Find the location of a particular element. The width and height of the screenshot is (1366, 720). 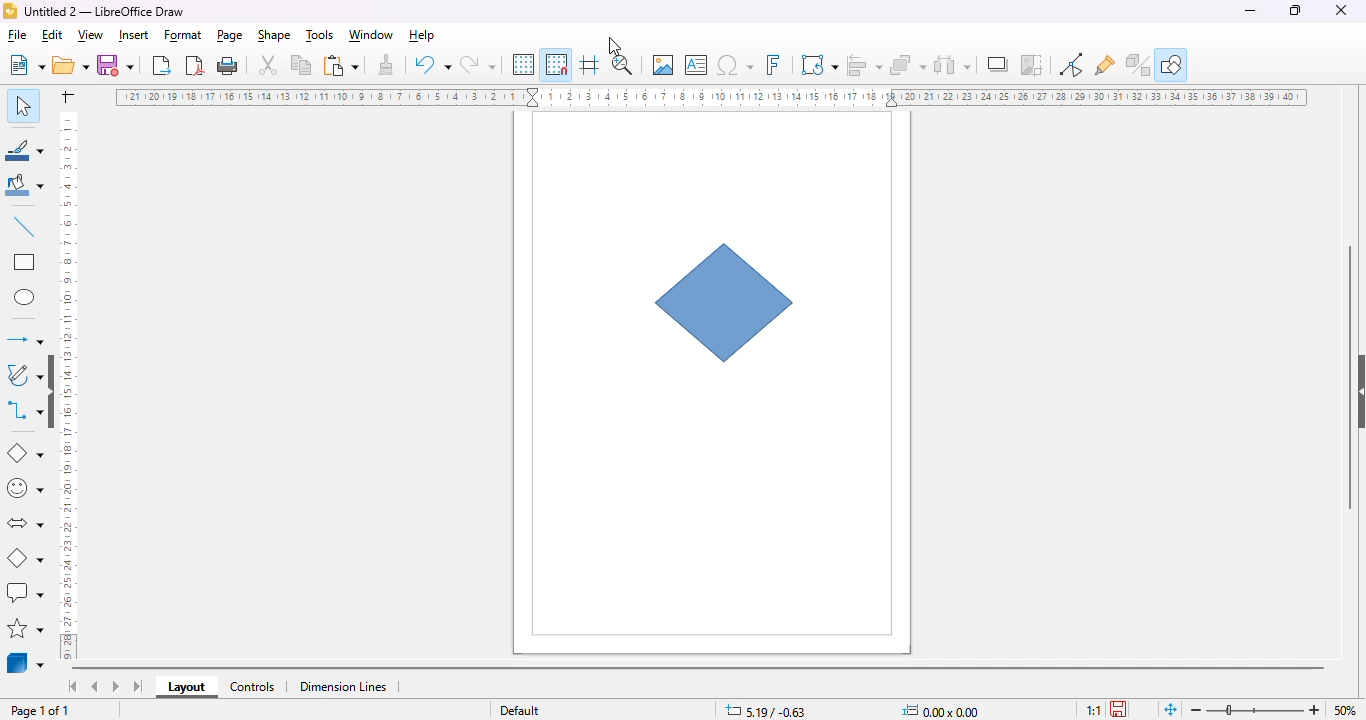

flowchart decision shape  is located at coordinates (726, 299).